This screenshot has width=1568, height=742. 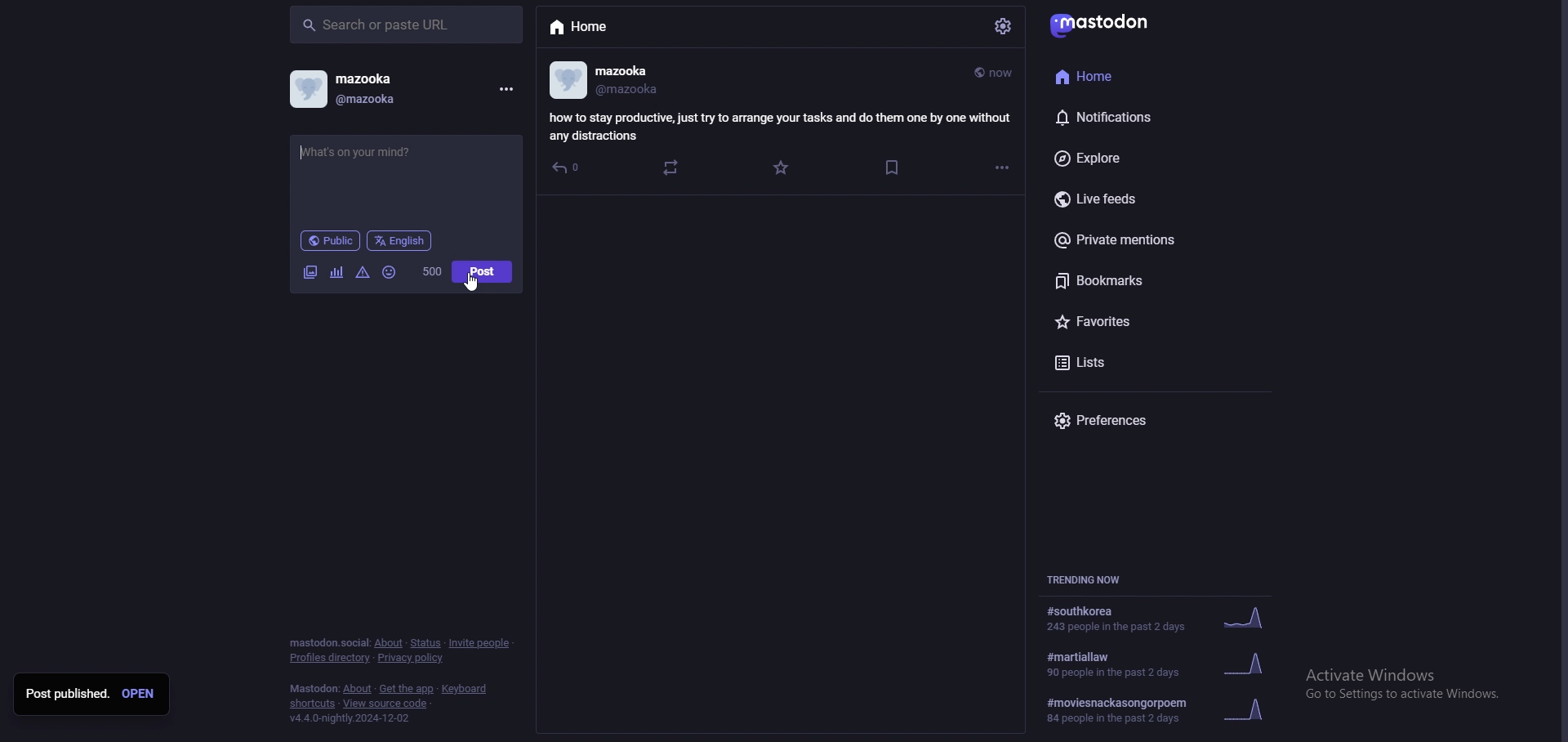 I want to click on menu, so click(x=506, y=90).